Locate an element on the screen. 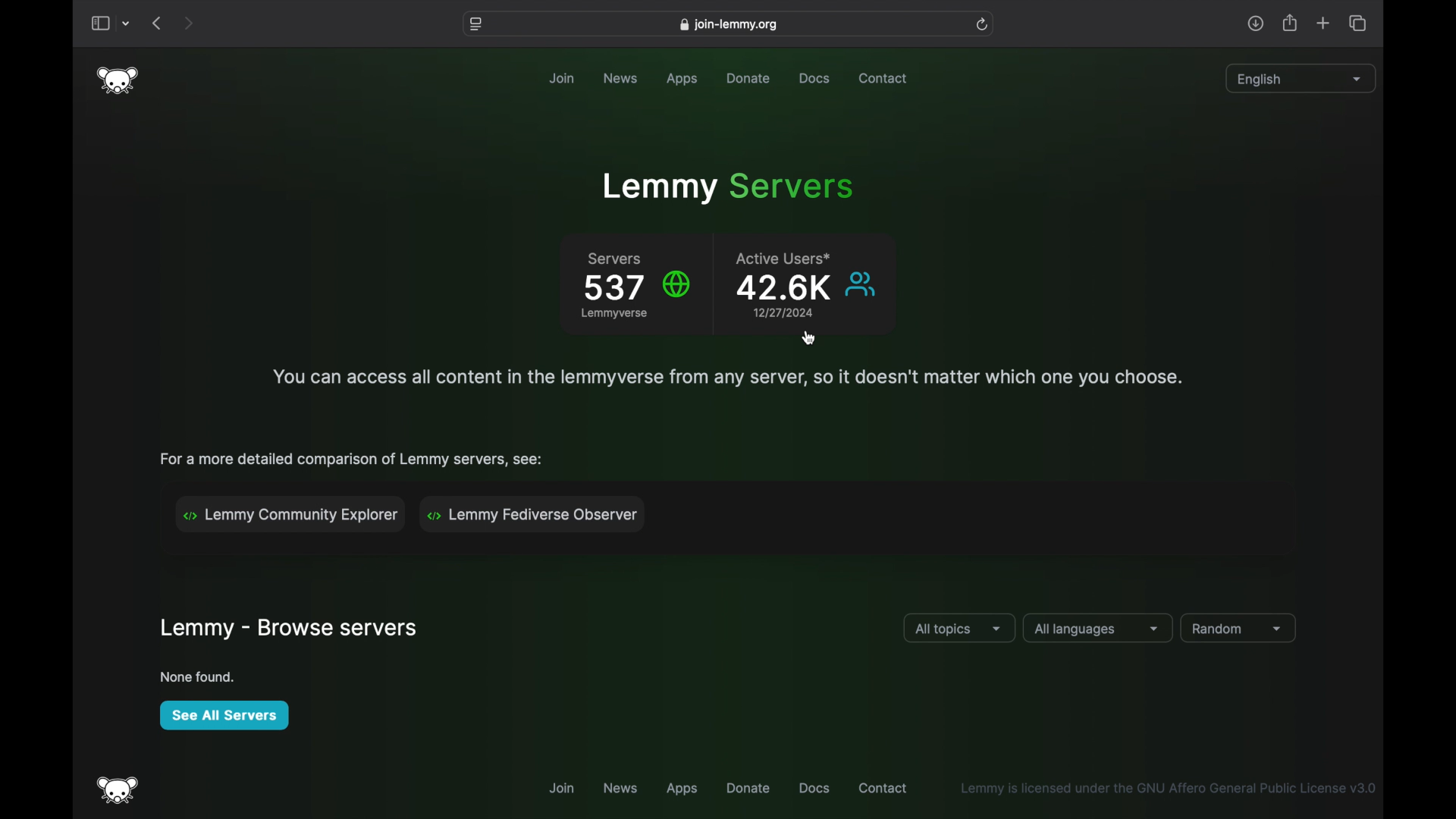 This screenshot has width=1456, height=819. 42,6K is located at coordinates (780, 289).